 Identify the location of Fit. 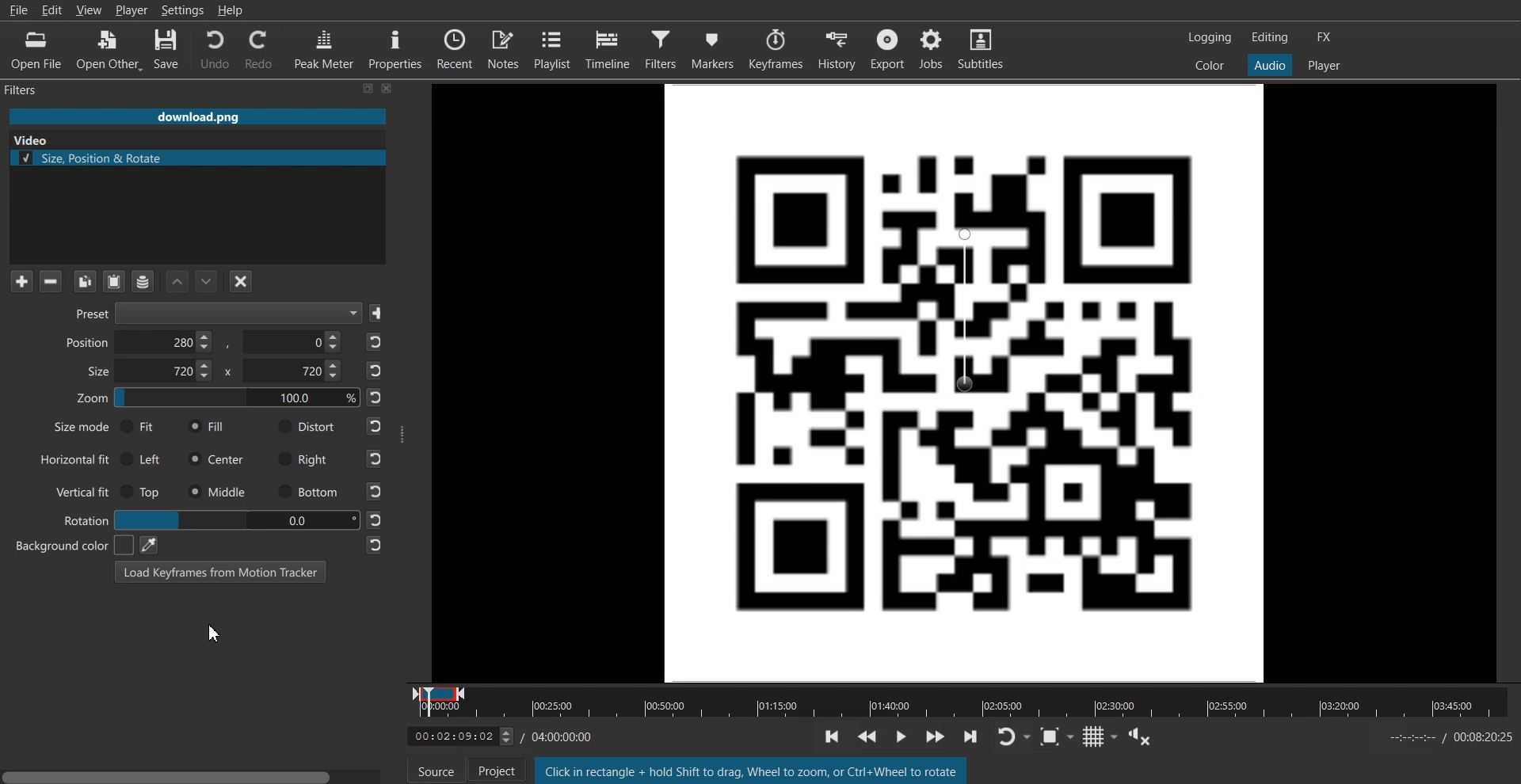
(139, 426).